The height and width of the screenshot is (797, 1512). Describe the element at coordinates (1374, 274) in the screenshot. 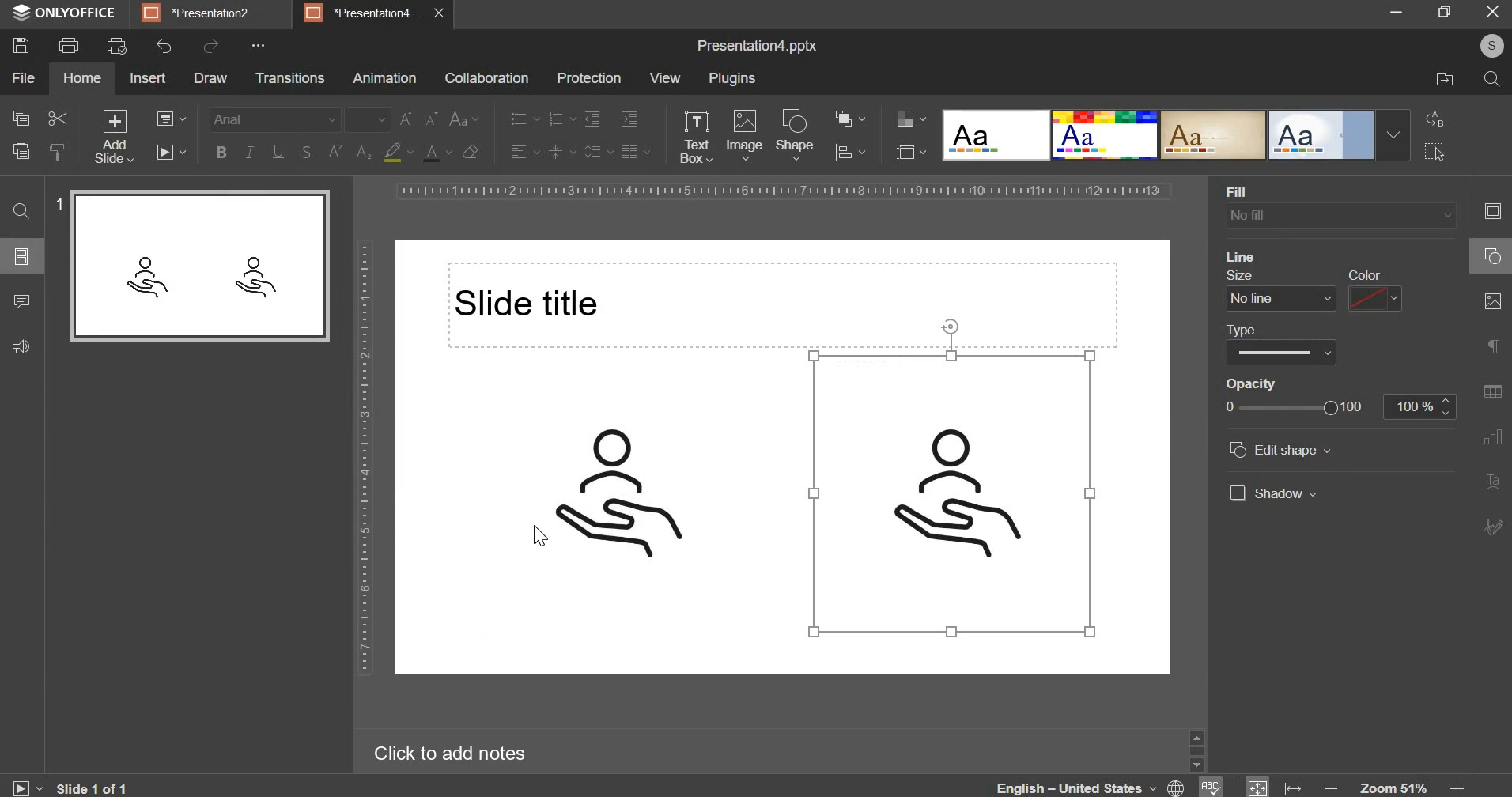

I see `color` at that location.